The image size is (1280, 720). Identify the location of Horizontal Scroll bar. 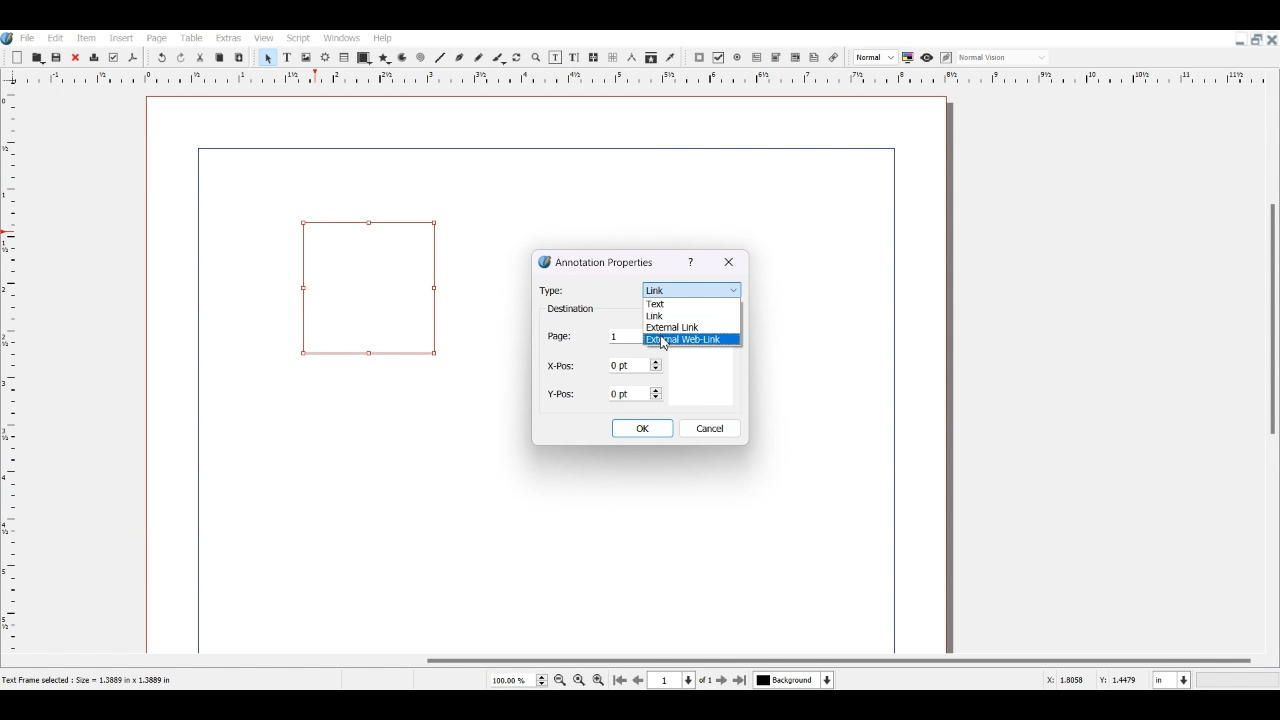
(640, 661).